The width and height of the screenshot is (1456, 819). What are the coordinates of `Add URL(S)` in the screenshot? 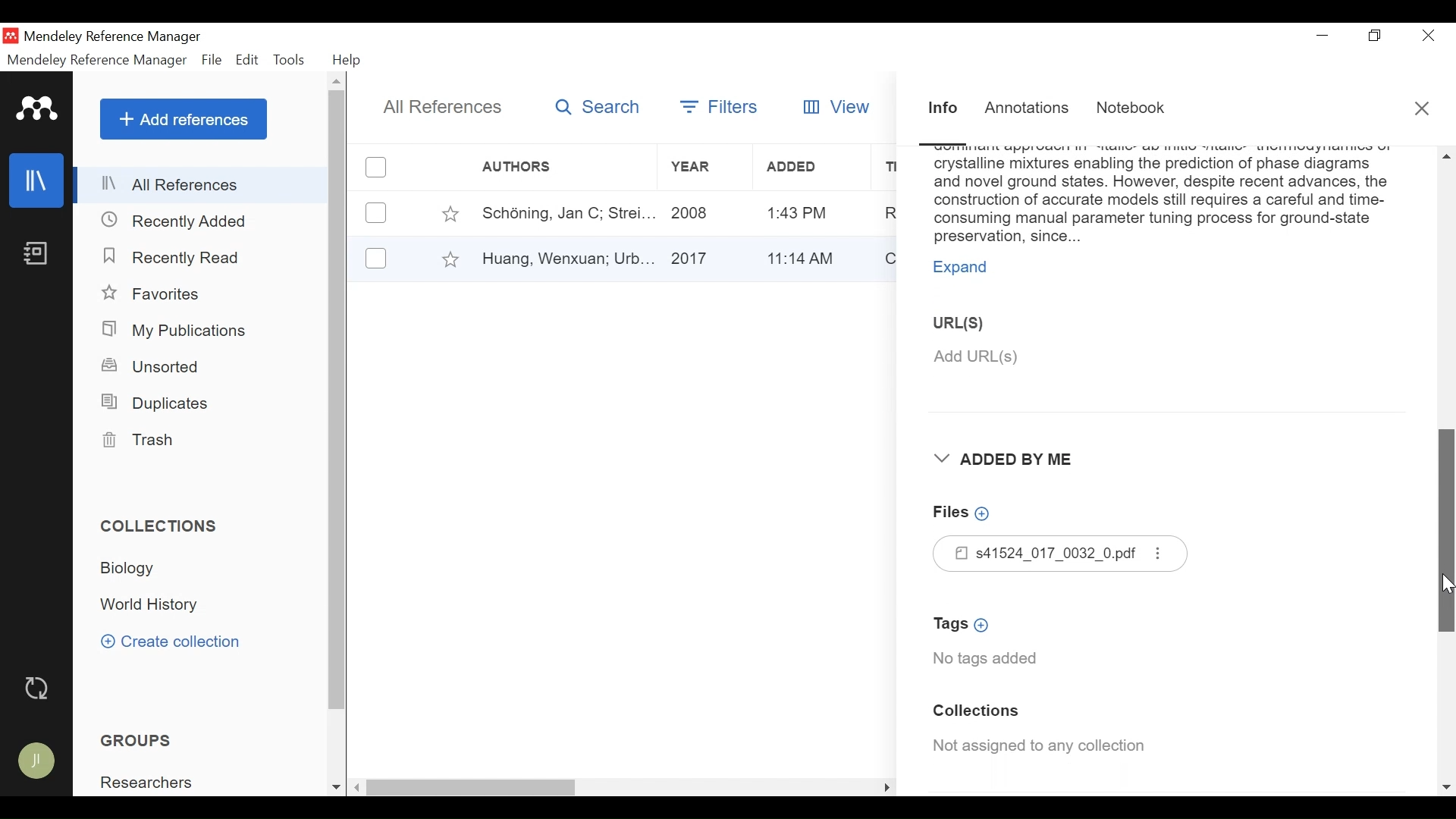 It's located at (1064, 357).